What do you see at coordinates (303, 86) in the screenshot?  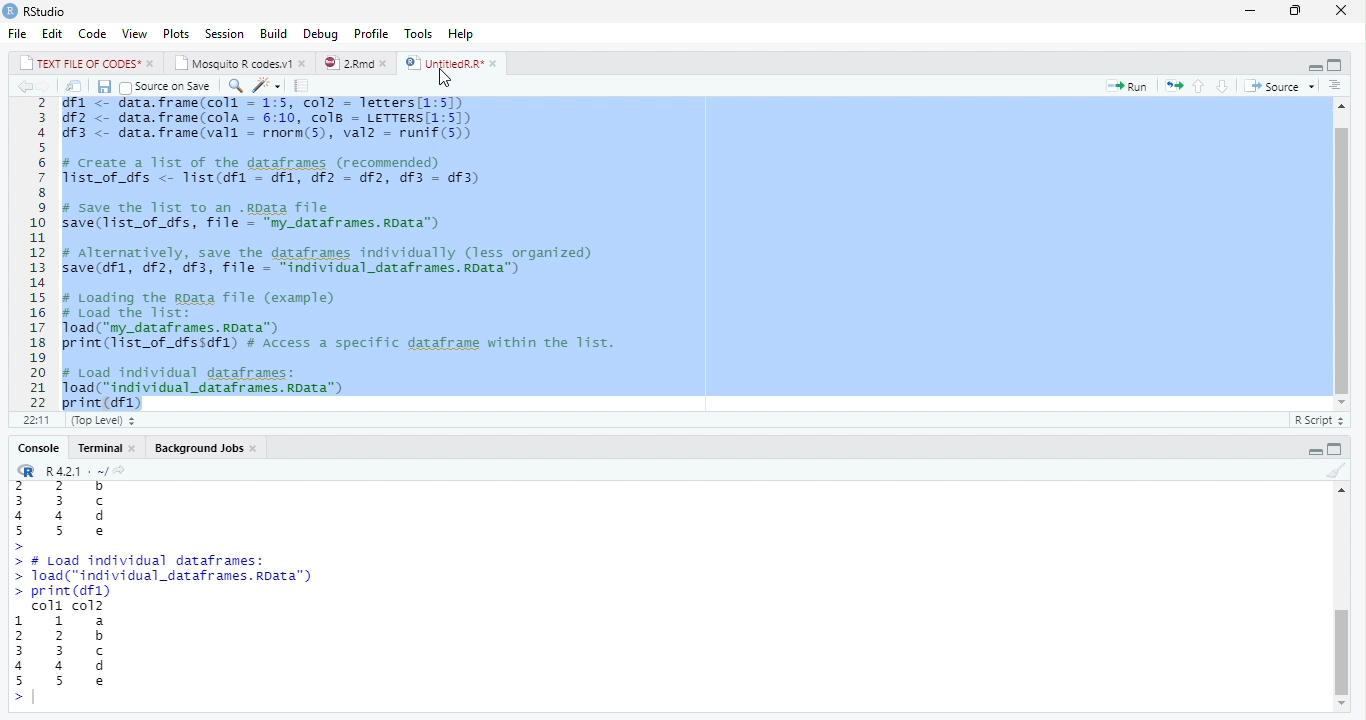 I see `Guidelines` at bounding box center [303, 86].